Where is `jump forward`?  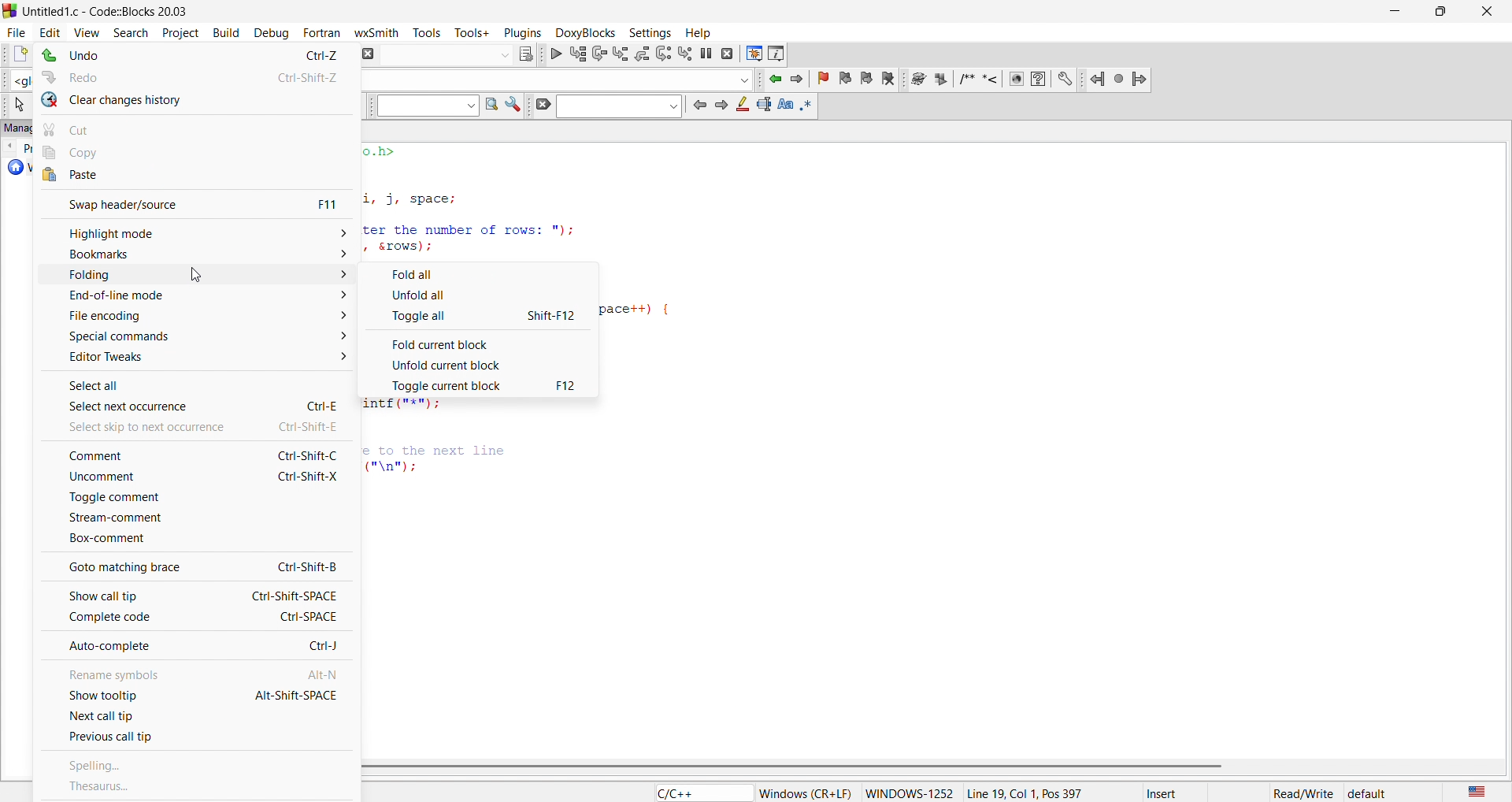
jump forward is located at coordinates (1141, 77).